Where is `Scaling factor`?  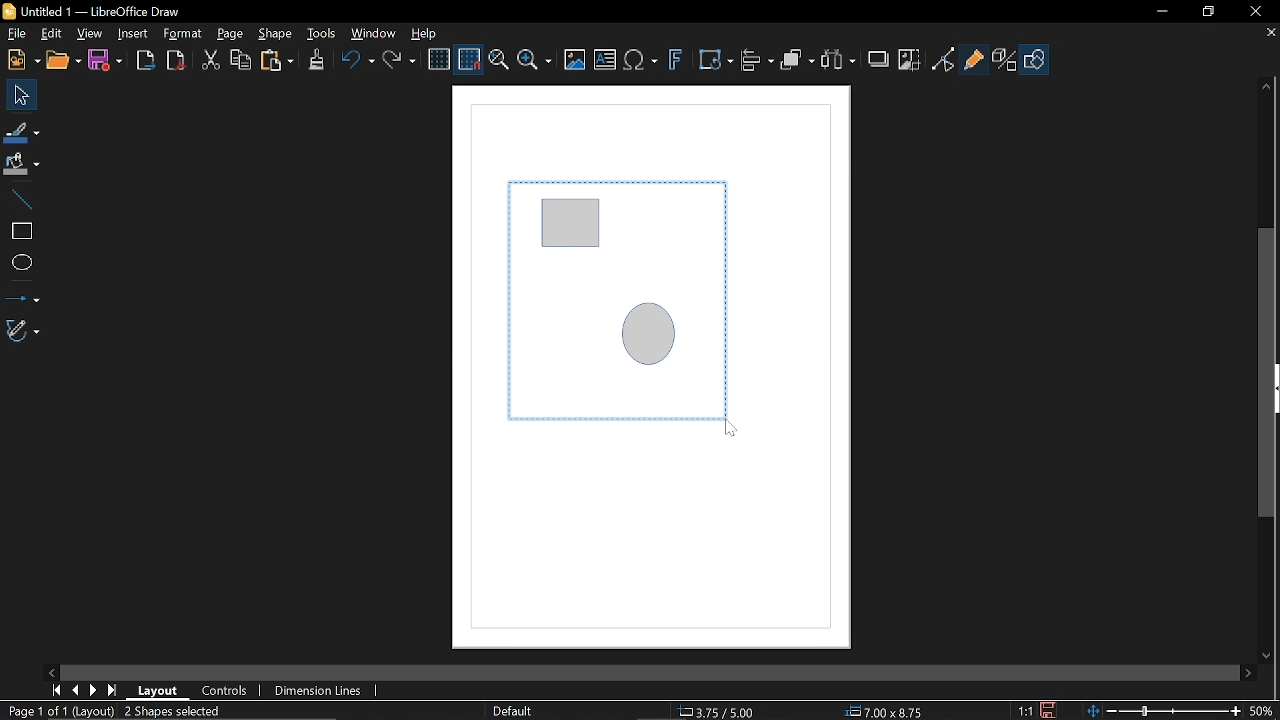
Scaling factor is located at coordinates (1023, 711).